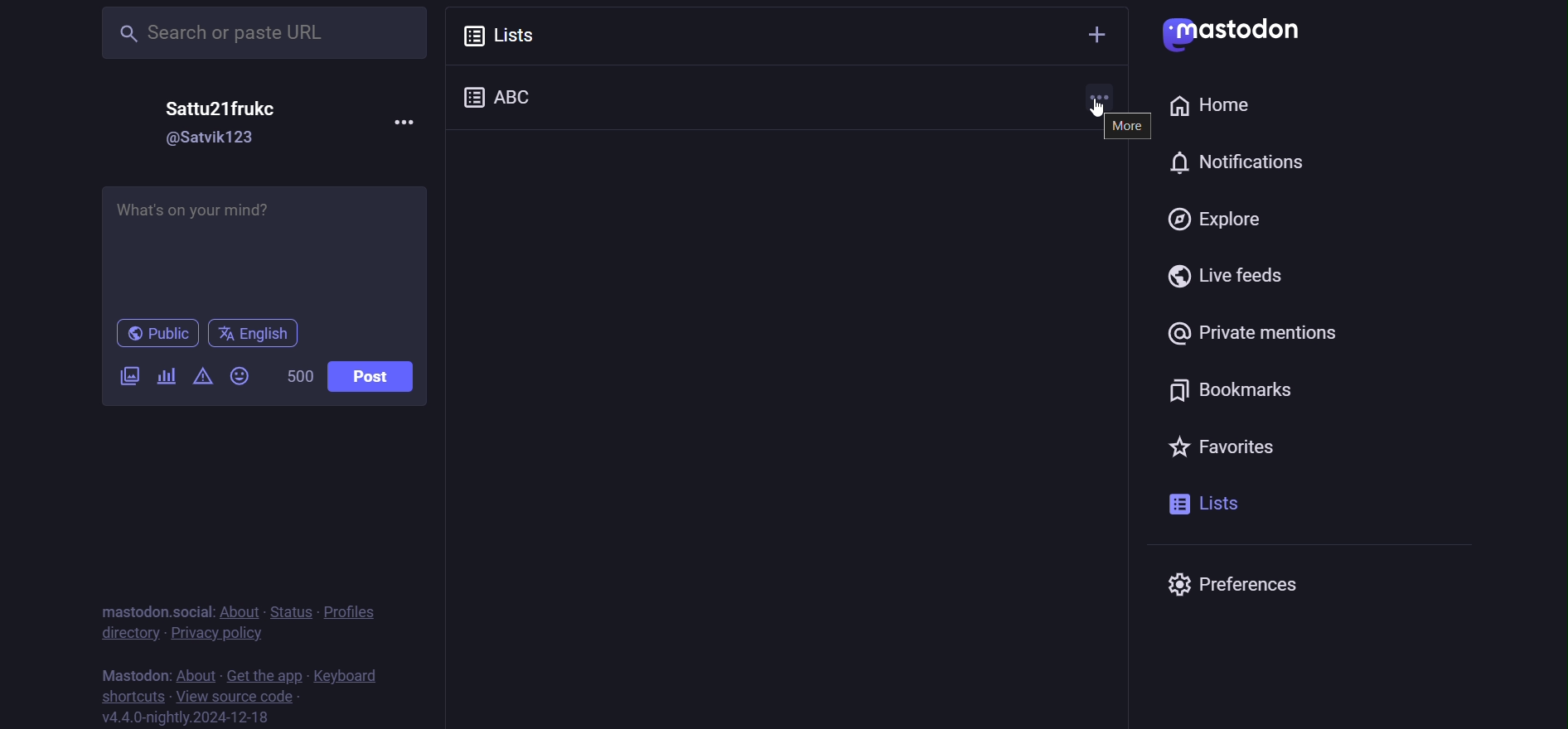 The height and width of the screenshot is (729, 1568). I want to click on @satvik123, so click(210, 140).